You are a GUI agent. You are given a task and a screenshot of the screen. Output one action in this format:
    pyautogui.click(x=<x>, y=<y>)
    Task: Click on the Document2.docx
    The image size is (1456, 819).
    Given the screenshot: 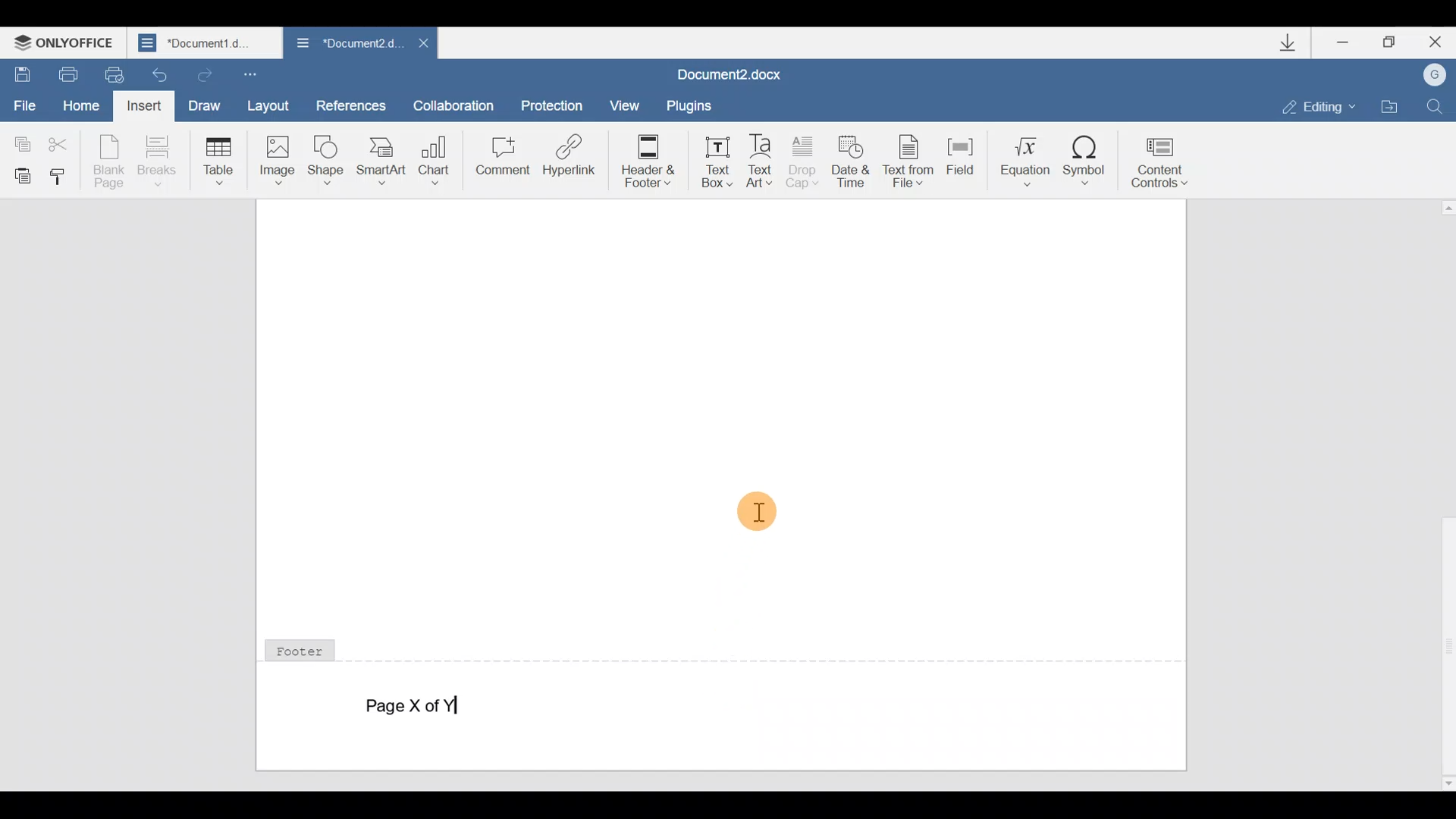 What is the action you would take?
    pyautogui.click(x=742, y=71)
    